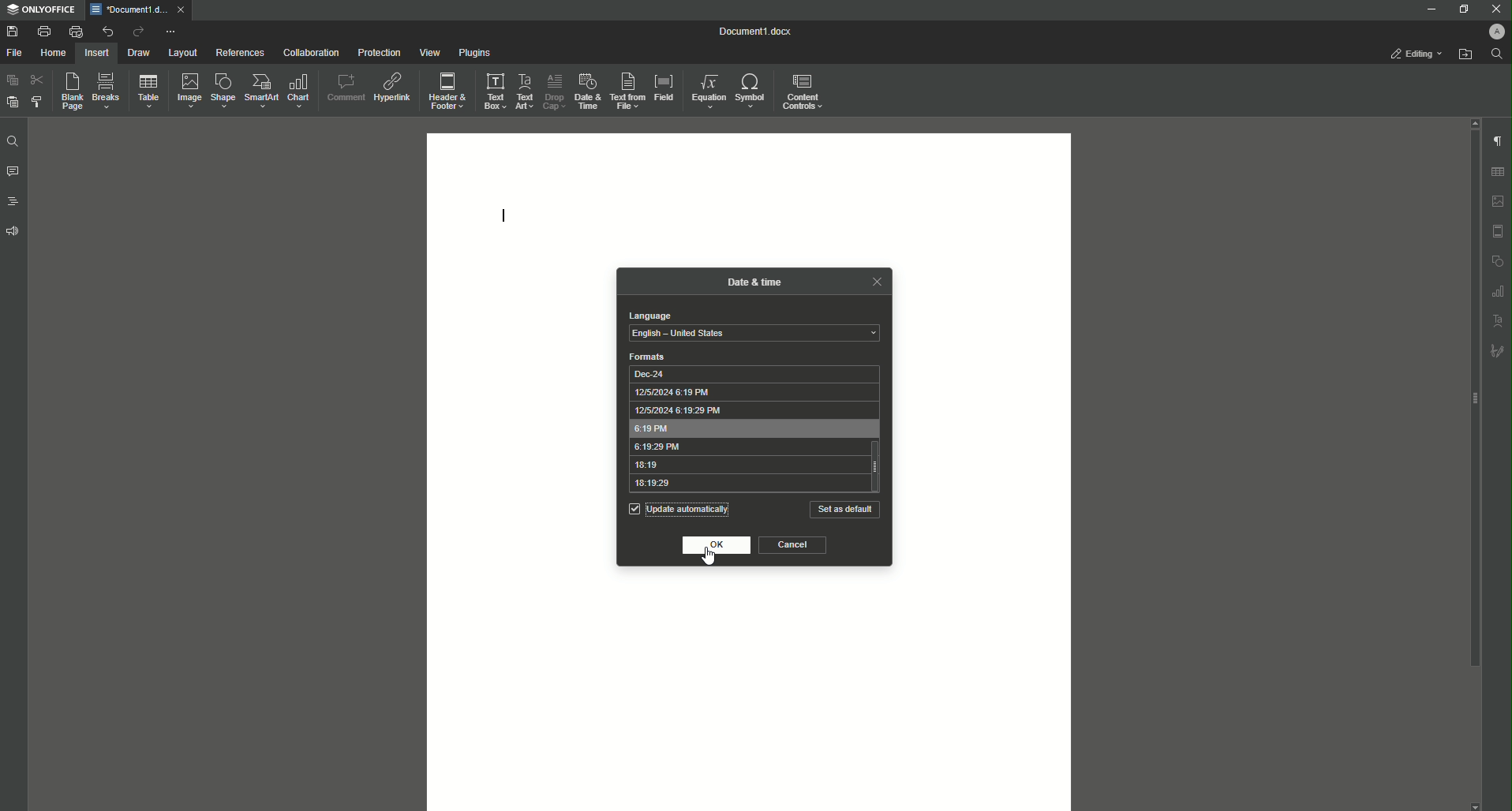 This screenshot has height=811, width=1512. I want to click on Text Line, so click(505, 212).